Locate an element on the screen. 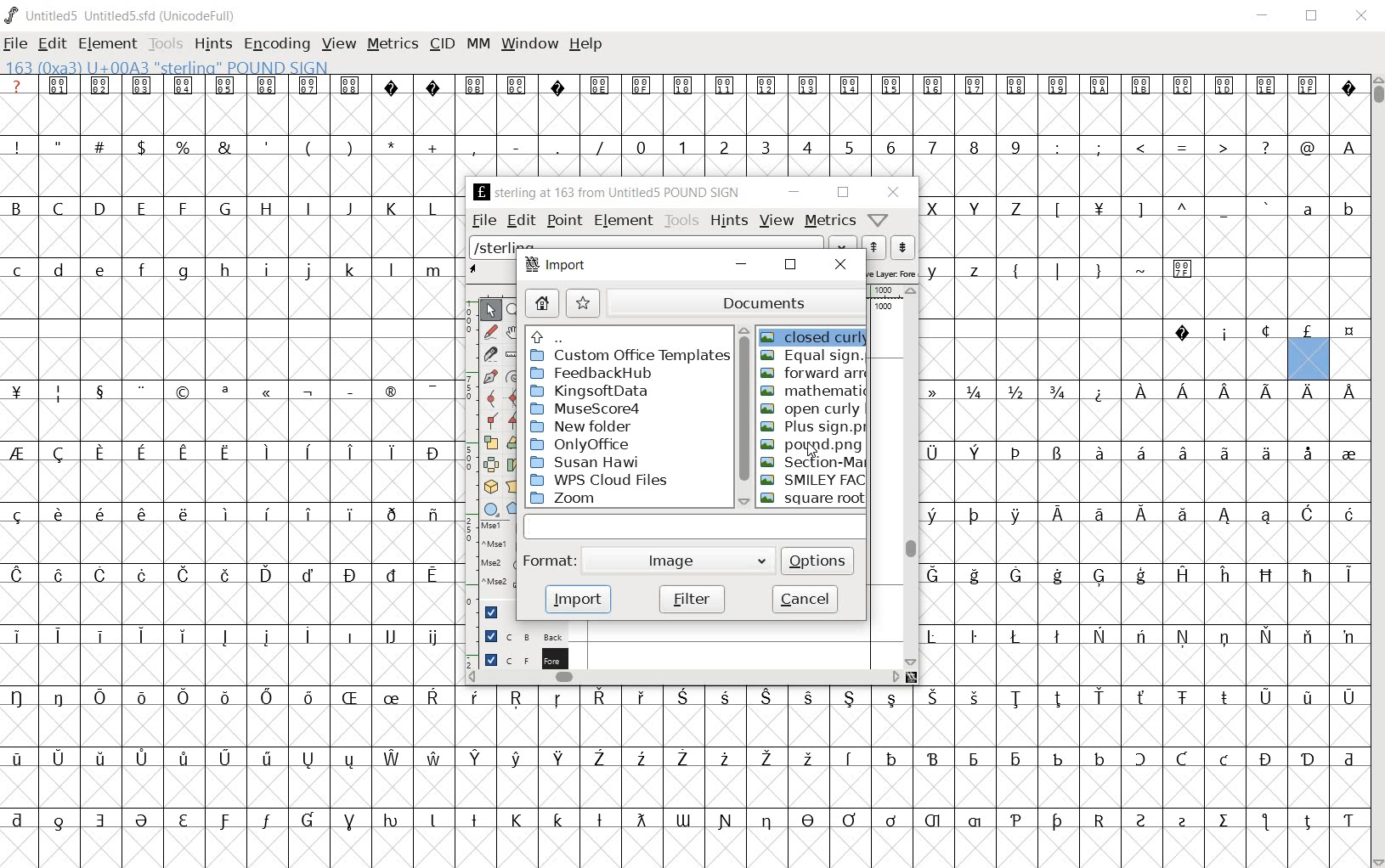  Symbol is located at coordinates (850, 699).